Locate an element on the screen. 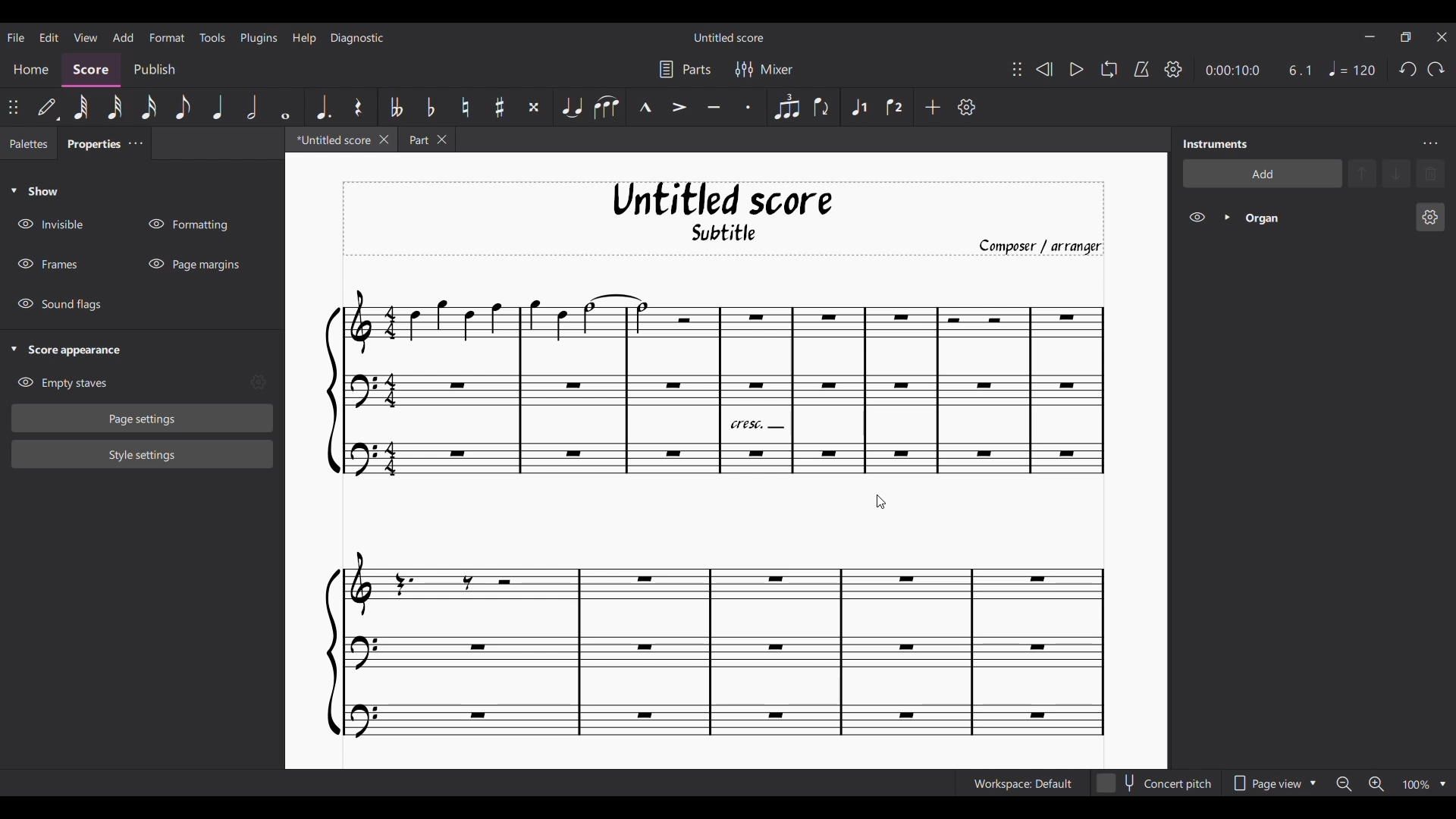  Move selection down is located at coordinates (1396, 173).